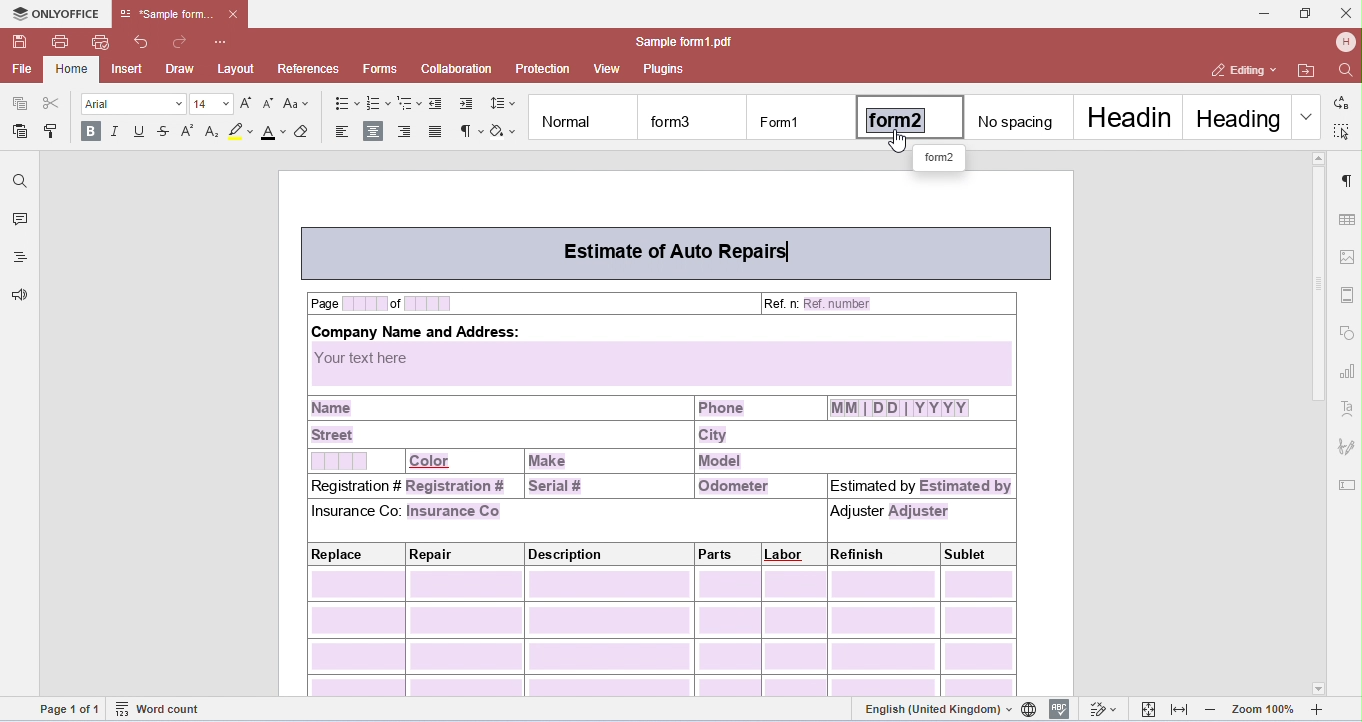 Image resolution: width=1362 pixels, height=722 pixels. What do you see at coordinates (470, 132) in the screenshot?
I see `nonprinting characters` at bounding box center [470, 132].